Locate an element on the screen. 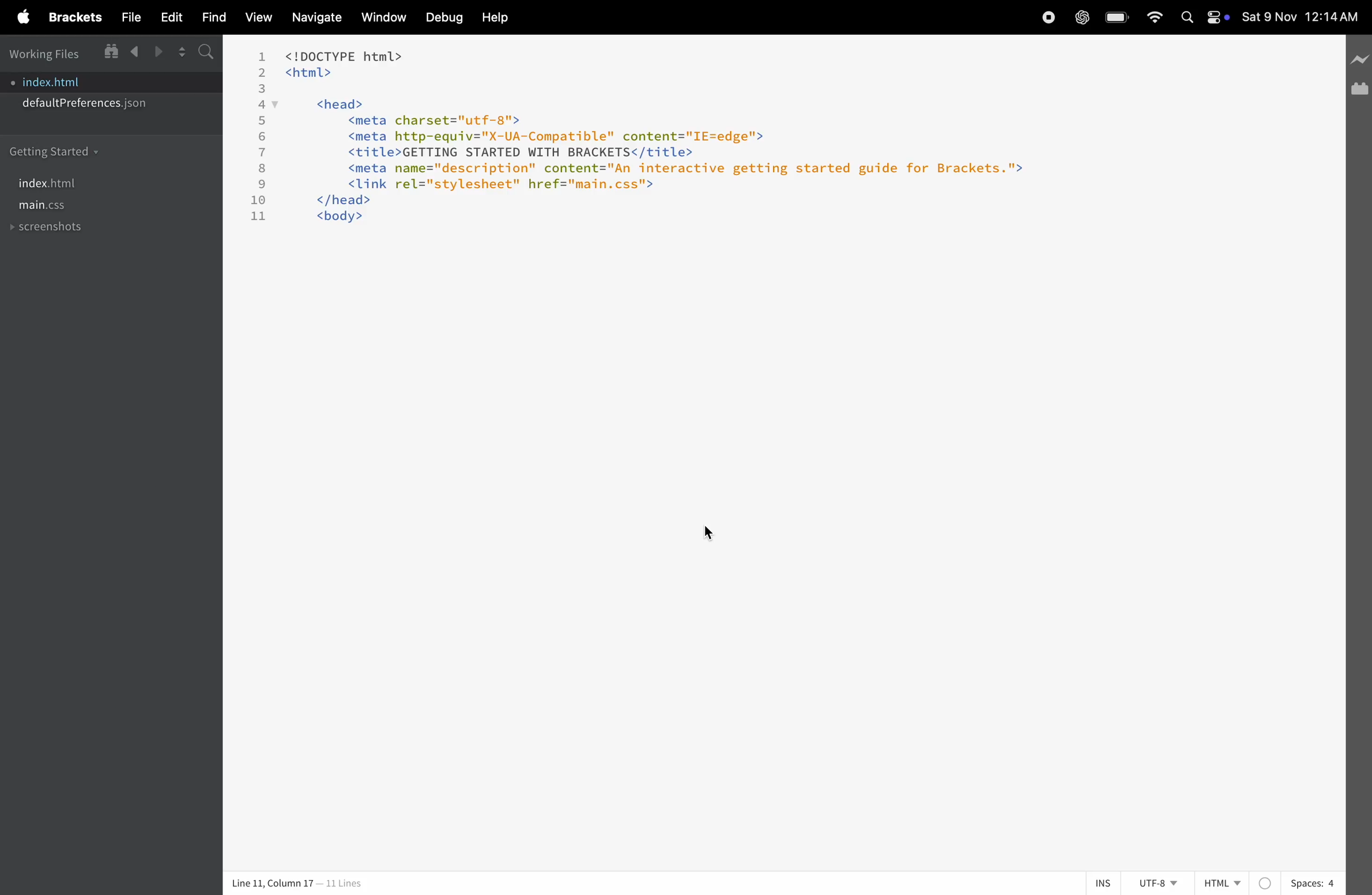 Image resolution: width=1372 pixels, height=895 pixels. spaces 4 is located at coordinates (1313, 882).